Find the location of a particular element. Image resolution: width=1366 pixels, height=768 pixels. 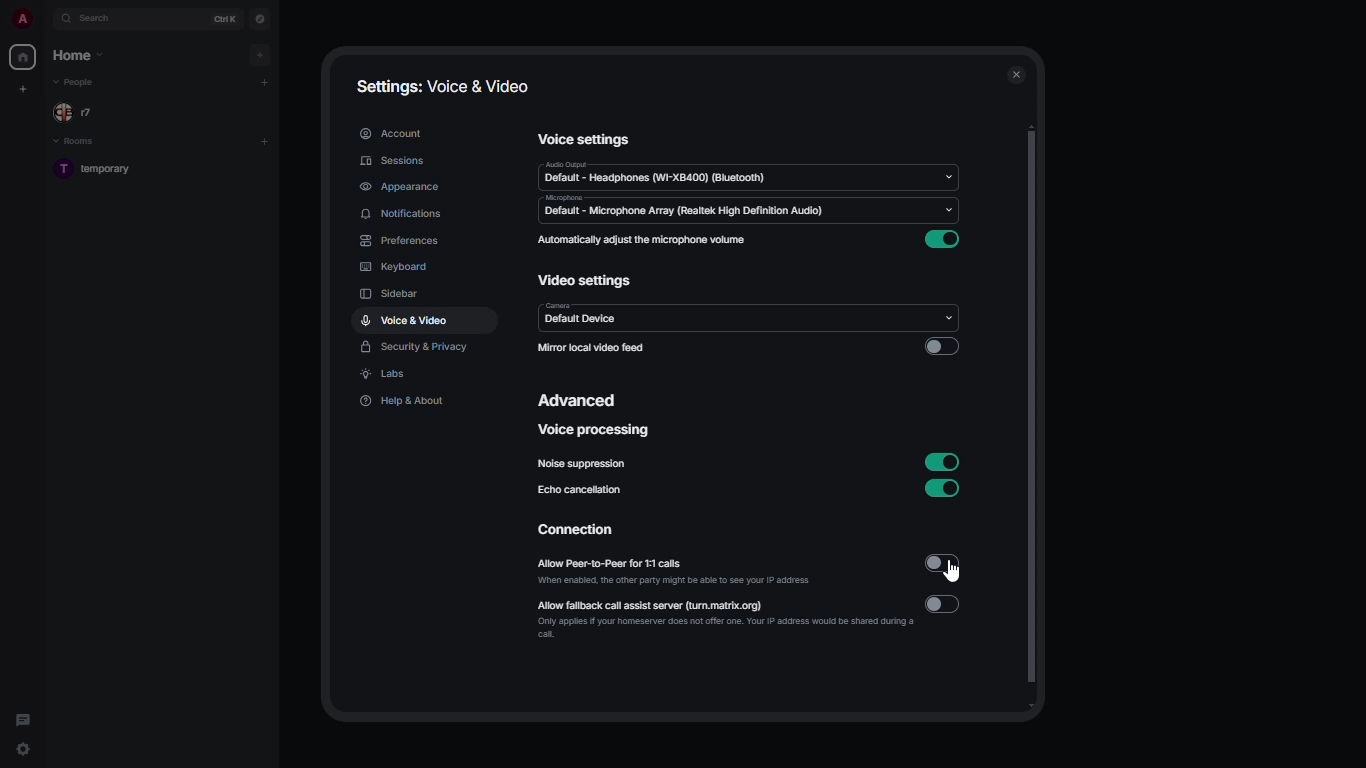

expand is located at coordinates (45, 20).